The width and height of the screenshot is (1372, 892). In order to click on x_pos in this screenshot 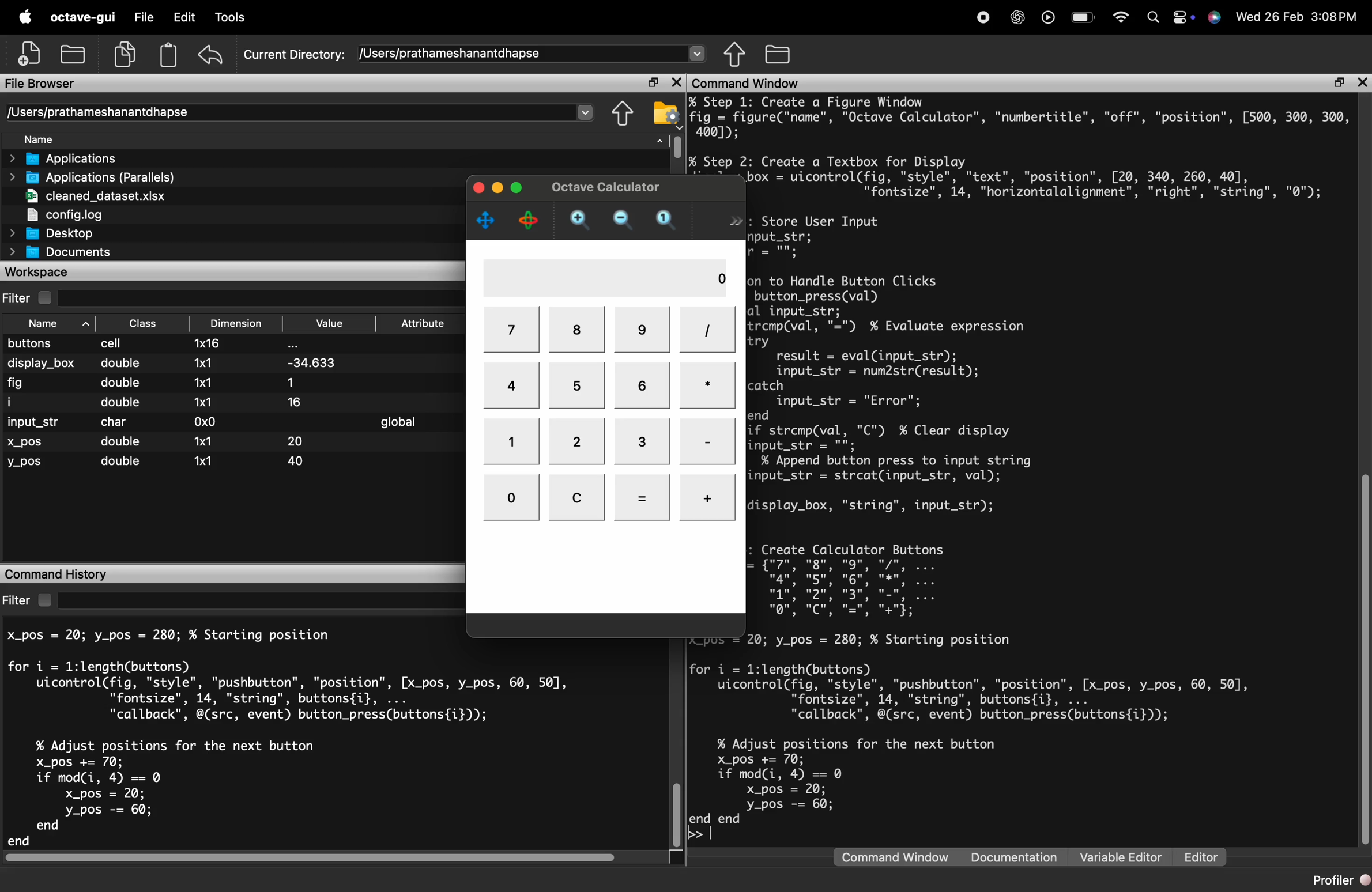, I will do `click(24, 441)`.